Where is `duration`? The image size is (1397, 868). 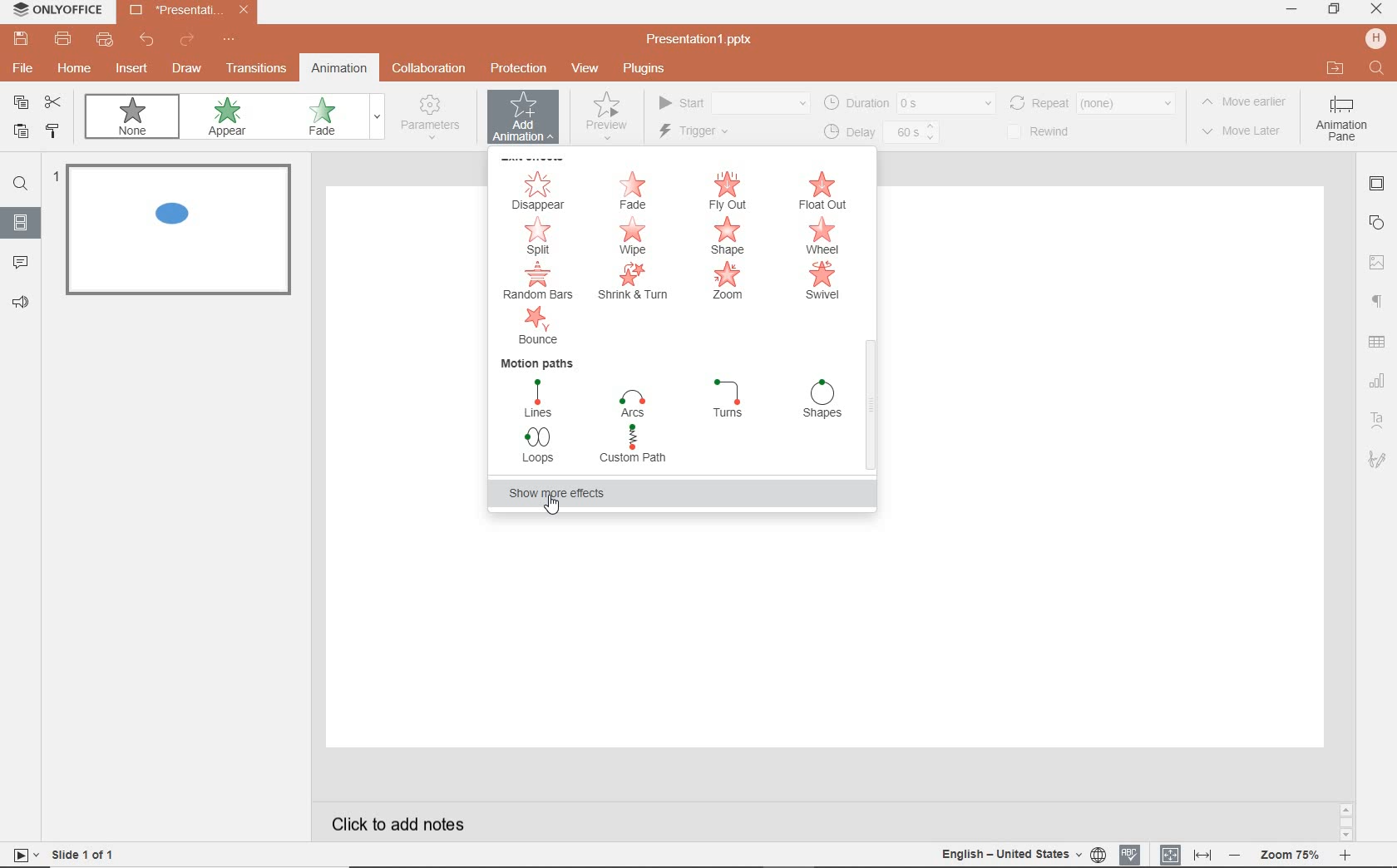
duration is located at coordinates (908, 102).